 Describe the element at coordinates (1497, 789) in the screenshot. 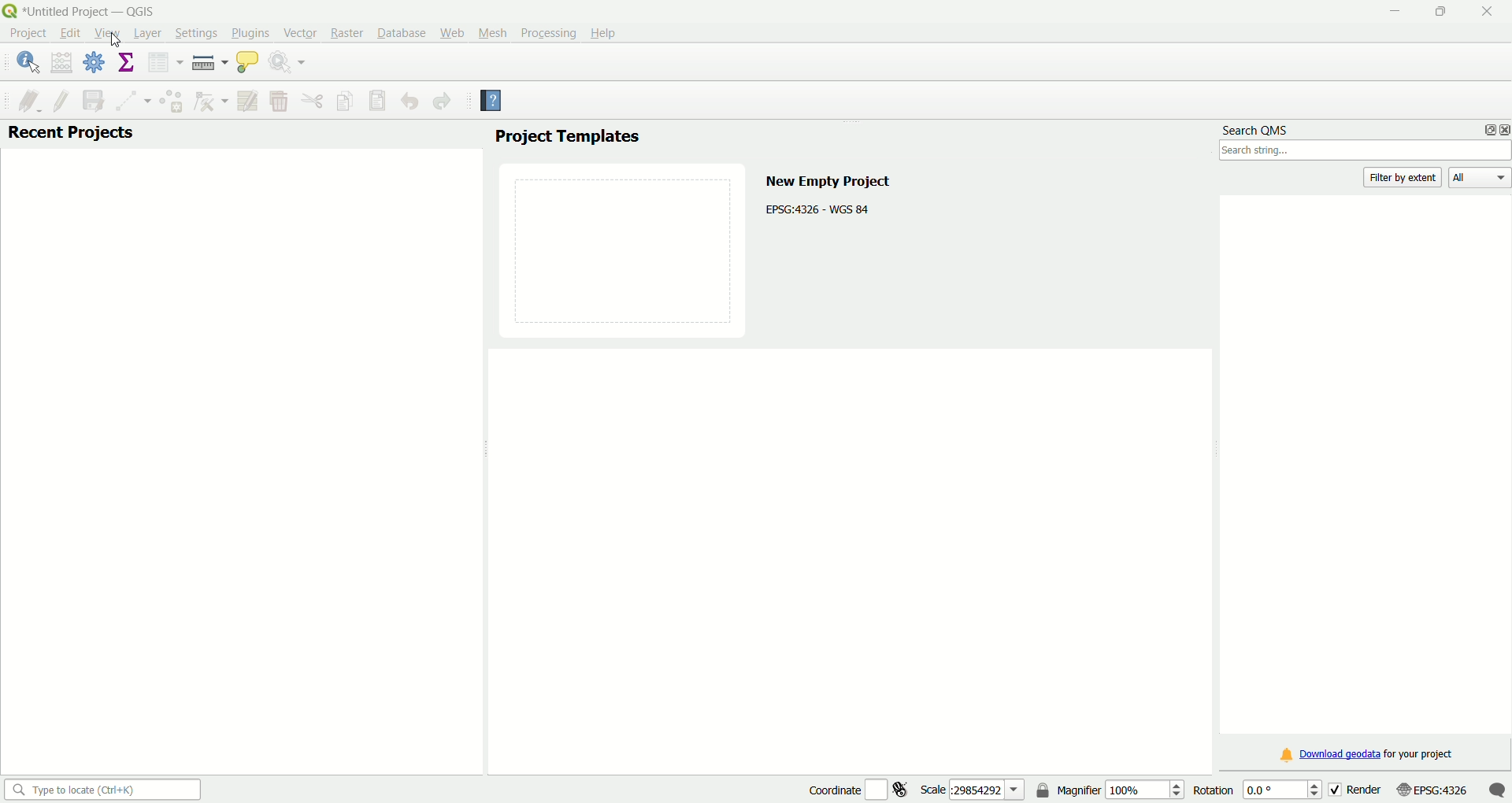

I see `message` at that location.